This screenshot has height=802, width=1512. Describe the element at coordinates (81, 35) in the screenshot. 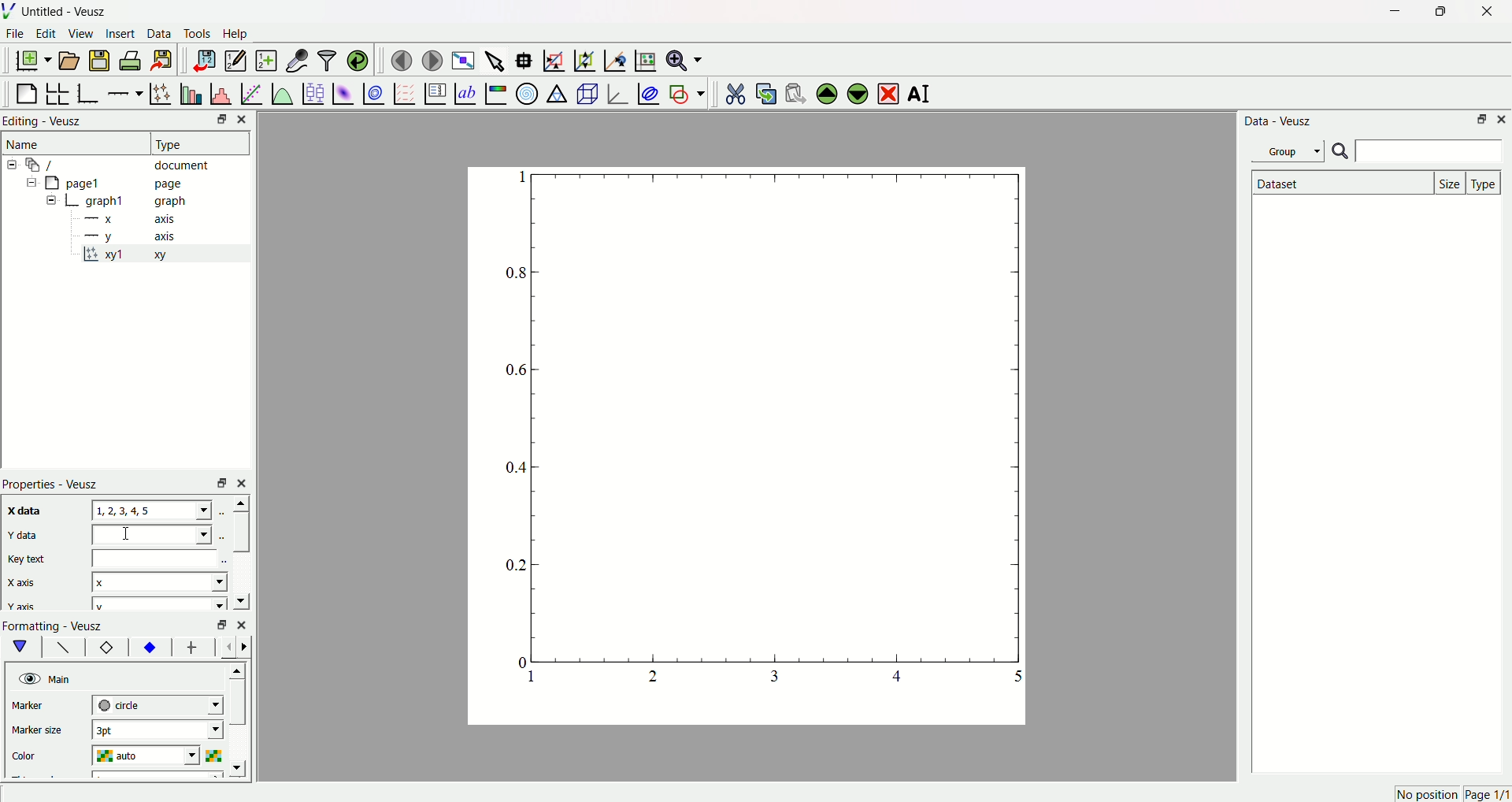

I see `View` at that location.